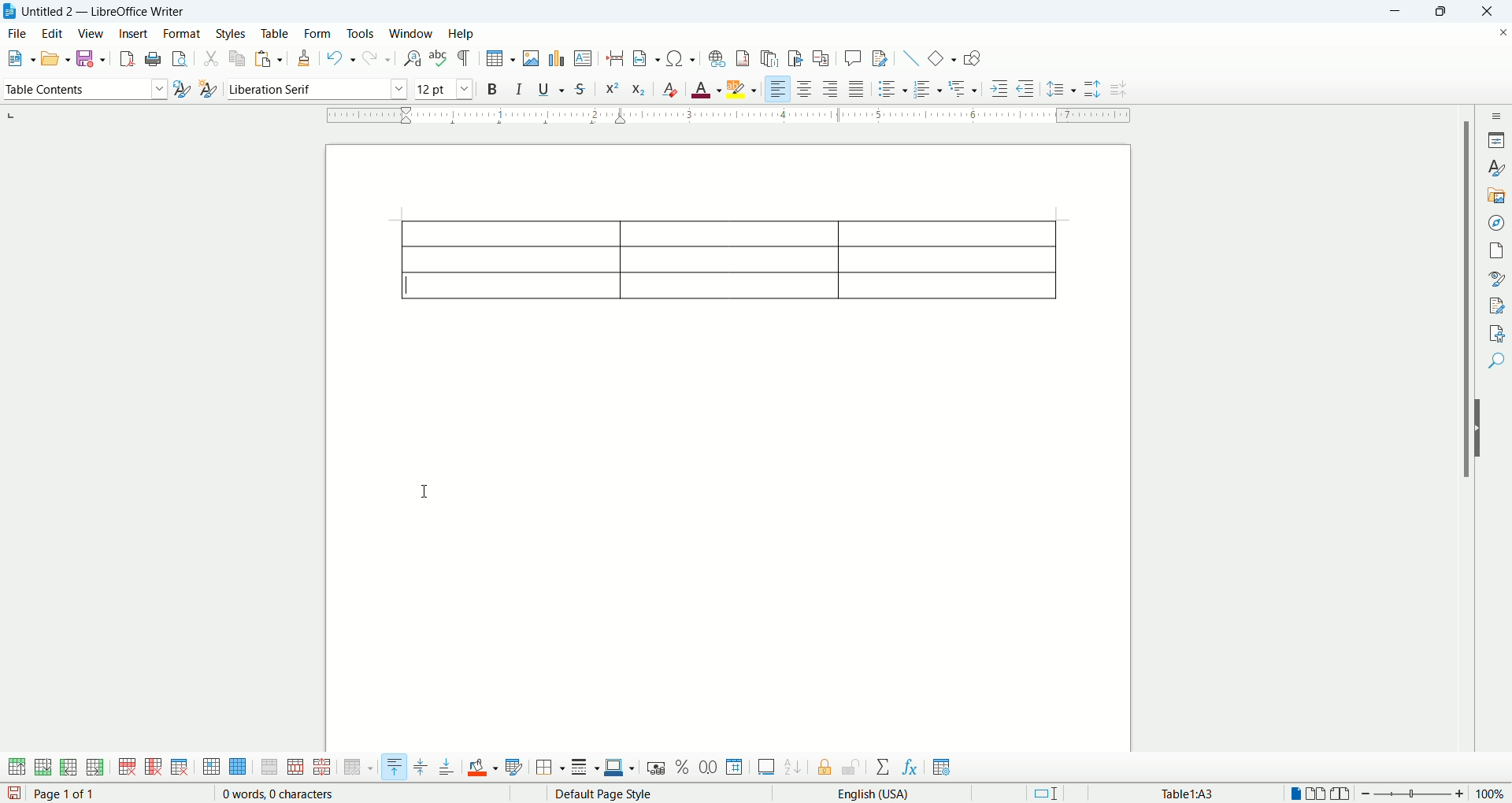  What do you see at coordinates (95, 767) in the screenshot?
I see `add columns after` at bounding box center [95, 767].